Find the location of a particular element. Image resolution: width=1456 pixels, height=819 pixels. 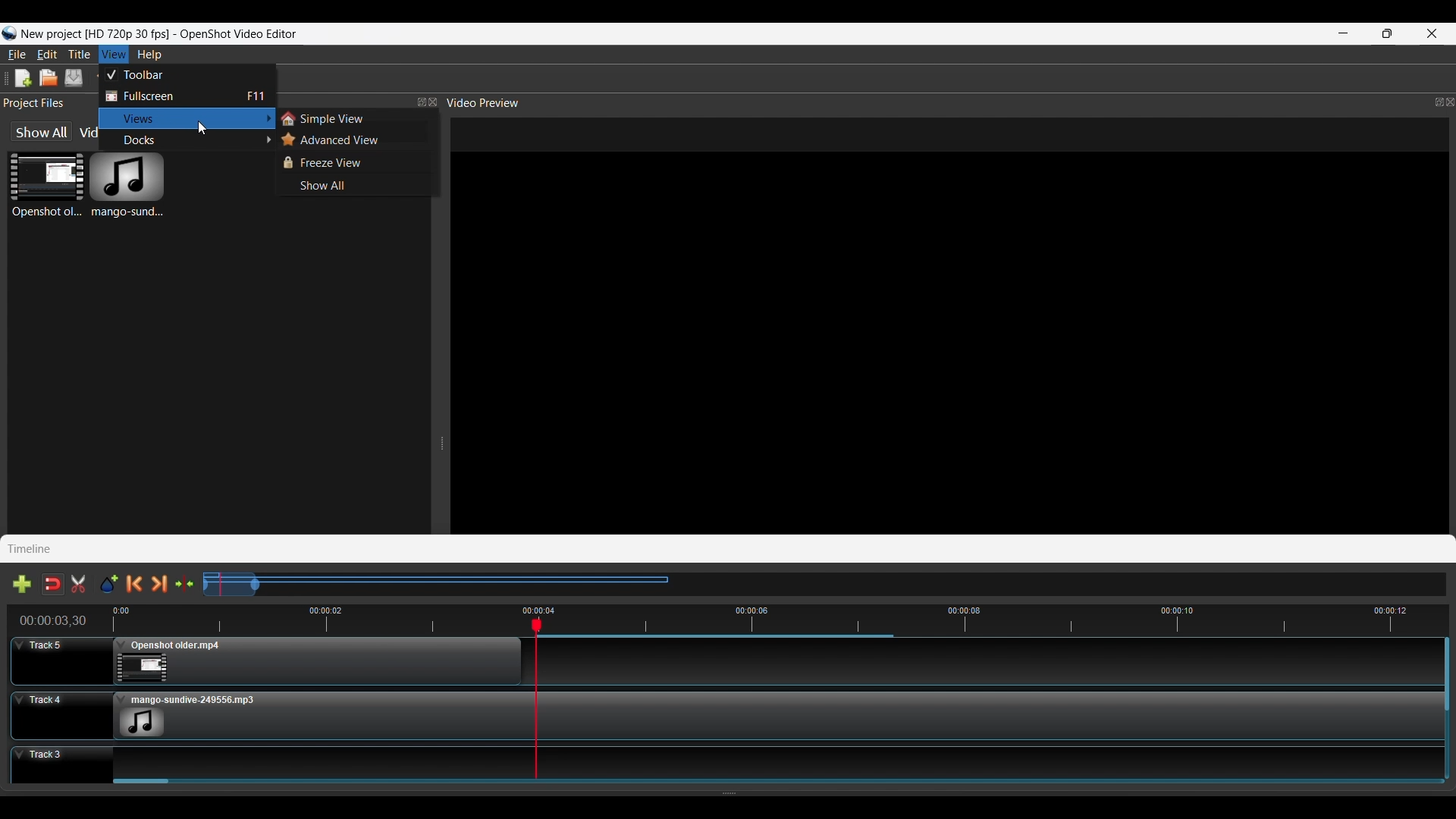

show All is located at coordinates (40, 131).